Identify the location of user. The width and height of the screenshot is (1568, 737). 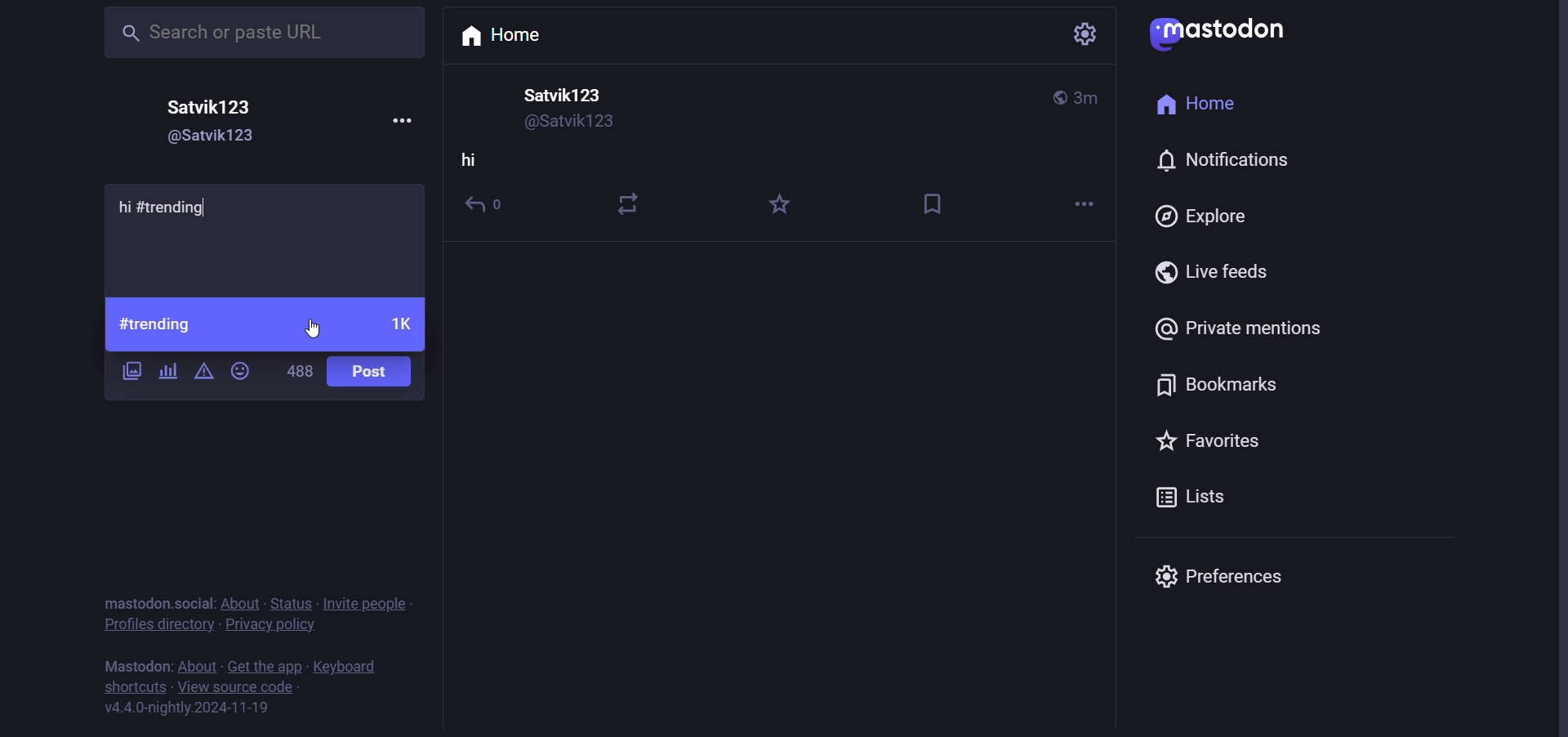
(212, 107).